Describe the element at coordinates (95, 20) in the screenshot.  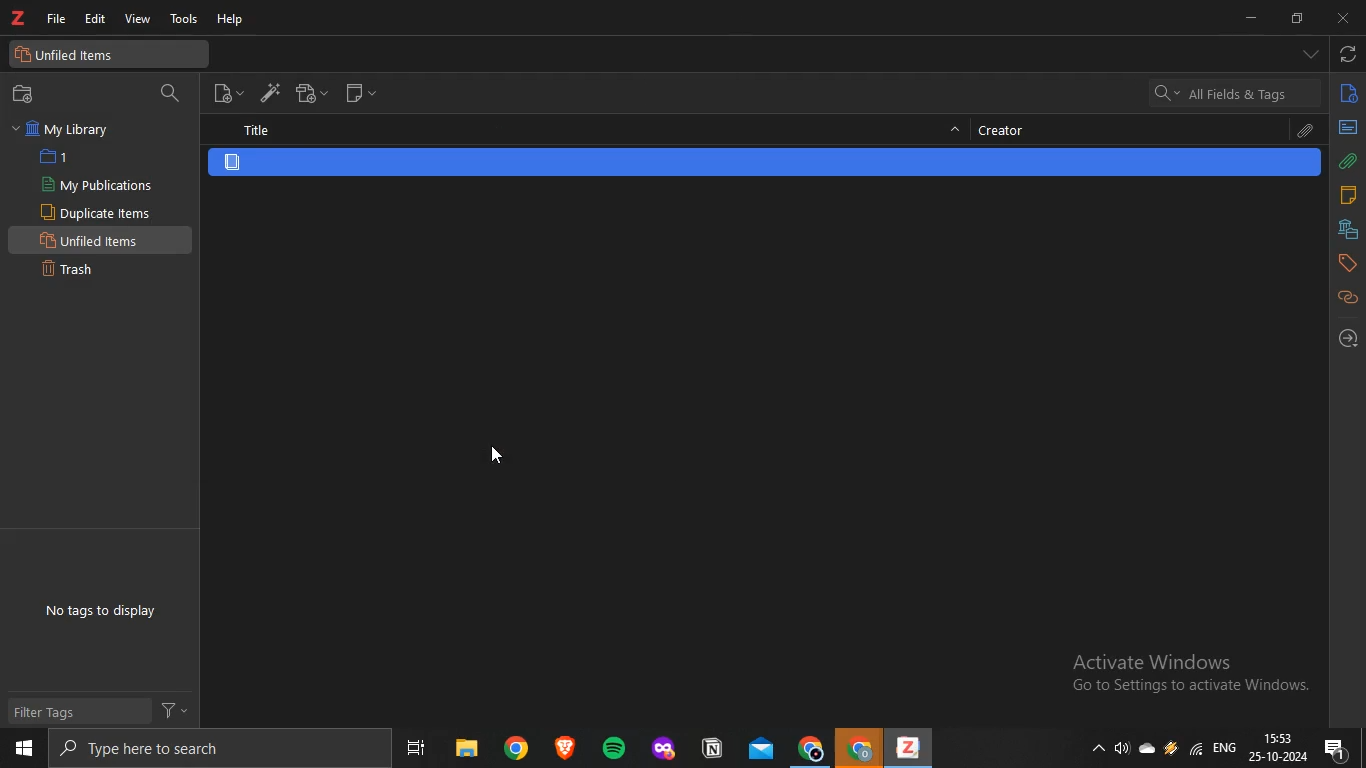
I see `edit` at that location.